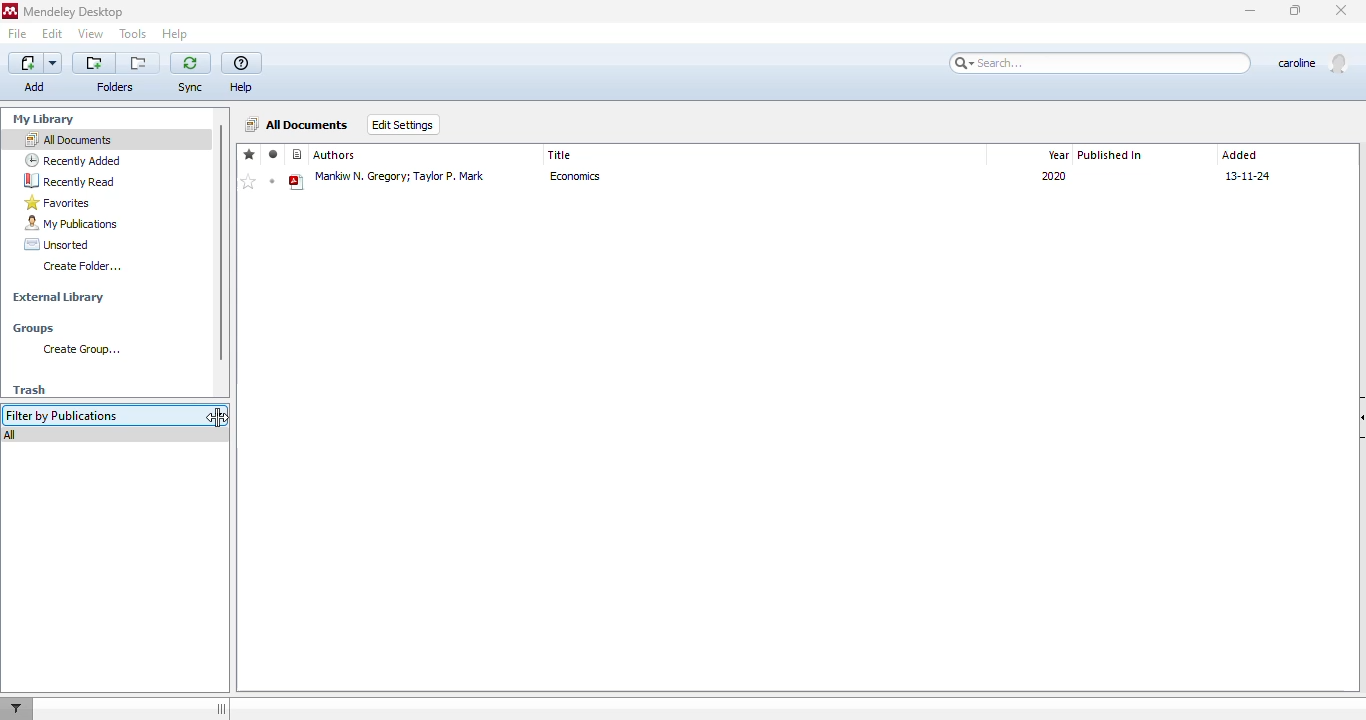  I want to click on search, so click(1096, 63).